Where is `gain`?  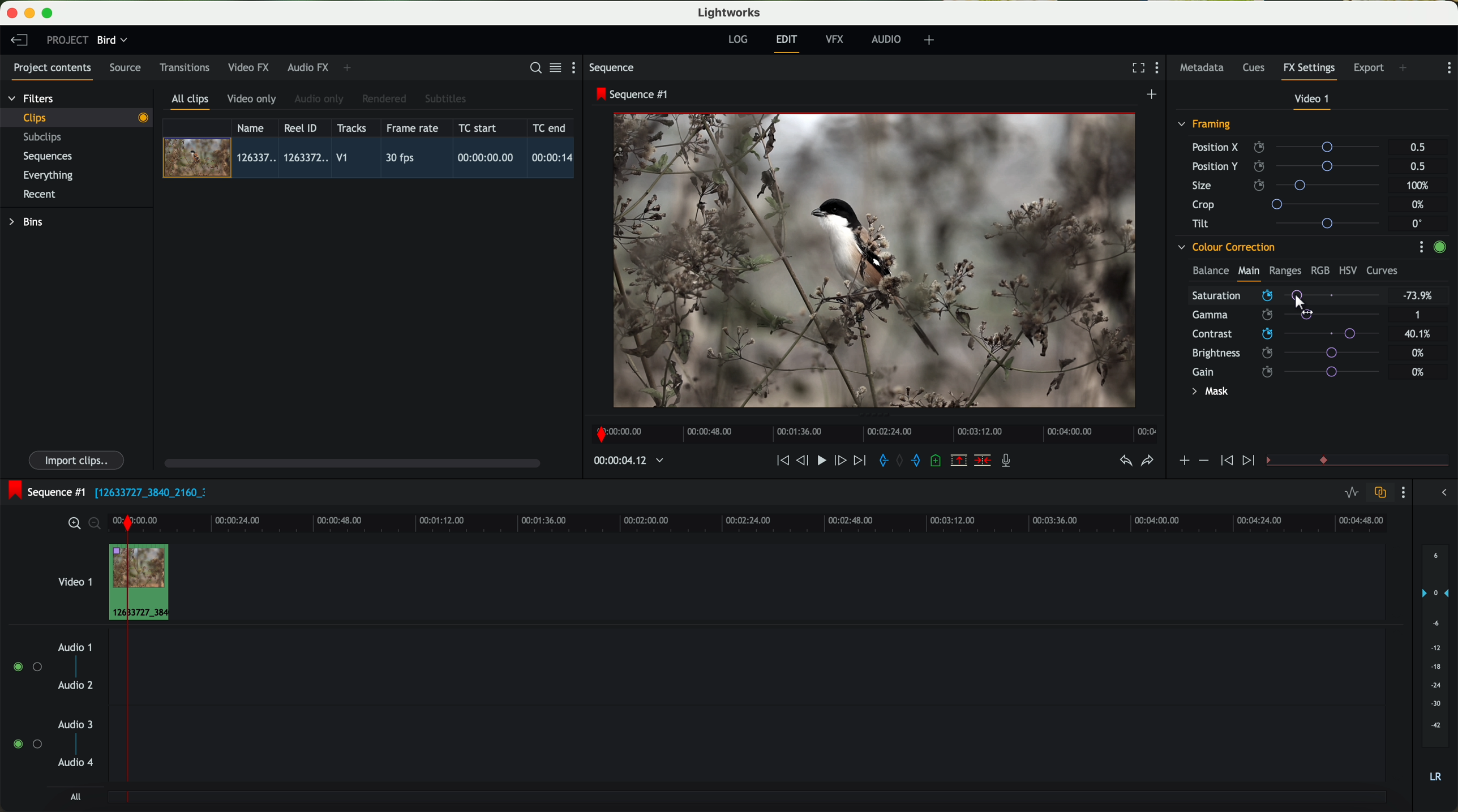 gain is located at coordinates (1293, 371).